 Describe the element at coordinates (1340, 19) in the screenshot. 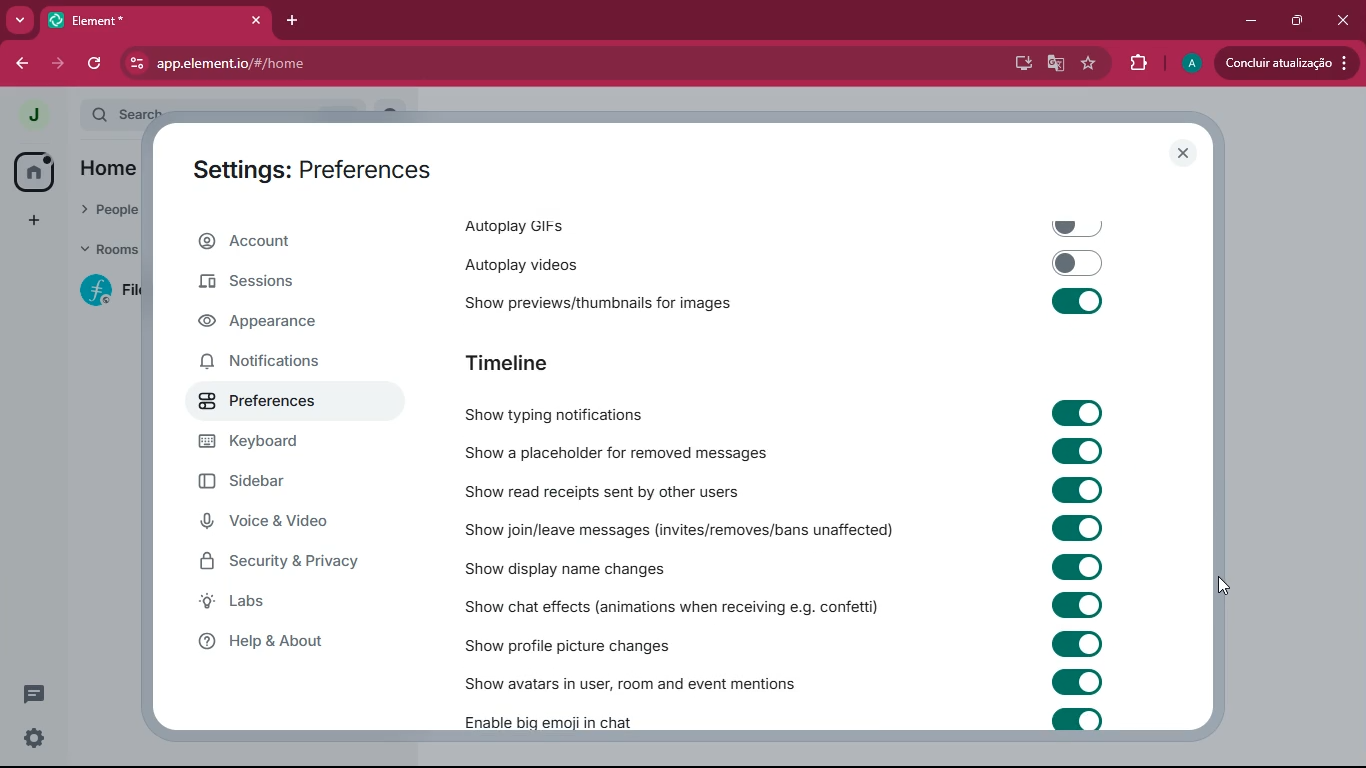

I see `close` at that location.